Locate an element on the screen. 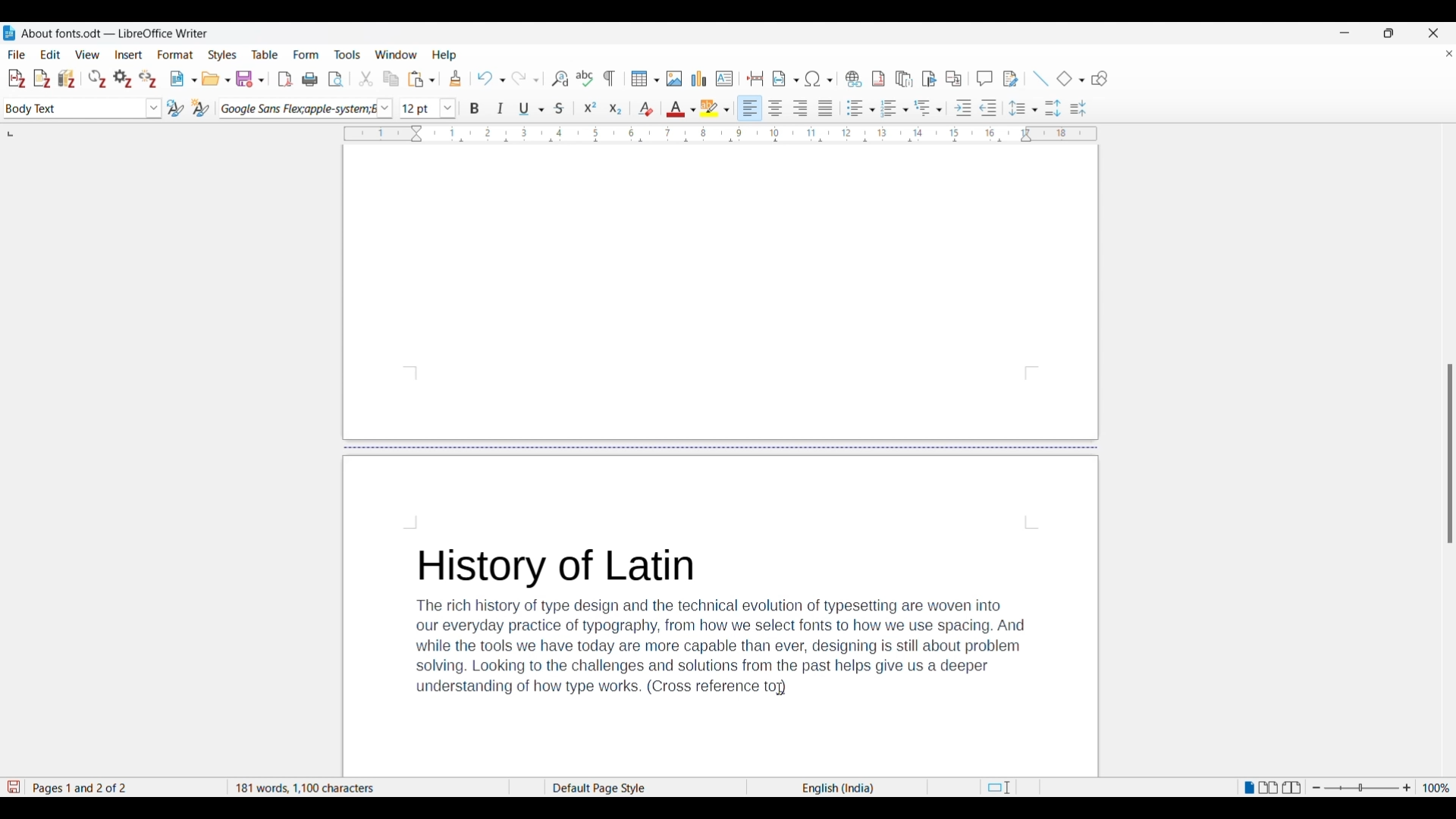  History of LatinThe rich history of type design and the technical evolution of typesetting are woven intoour everyday practice of typography, from how we select fonts to how we use spacing. Andwhile the tools we have today are more capable than ever, designing is still about problemsolving. Looking to the challenges and solutions from the past helps give us a deeperunderstanding of how type works. (Cross reference ) is located at coordinates (722, 628).